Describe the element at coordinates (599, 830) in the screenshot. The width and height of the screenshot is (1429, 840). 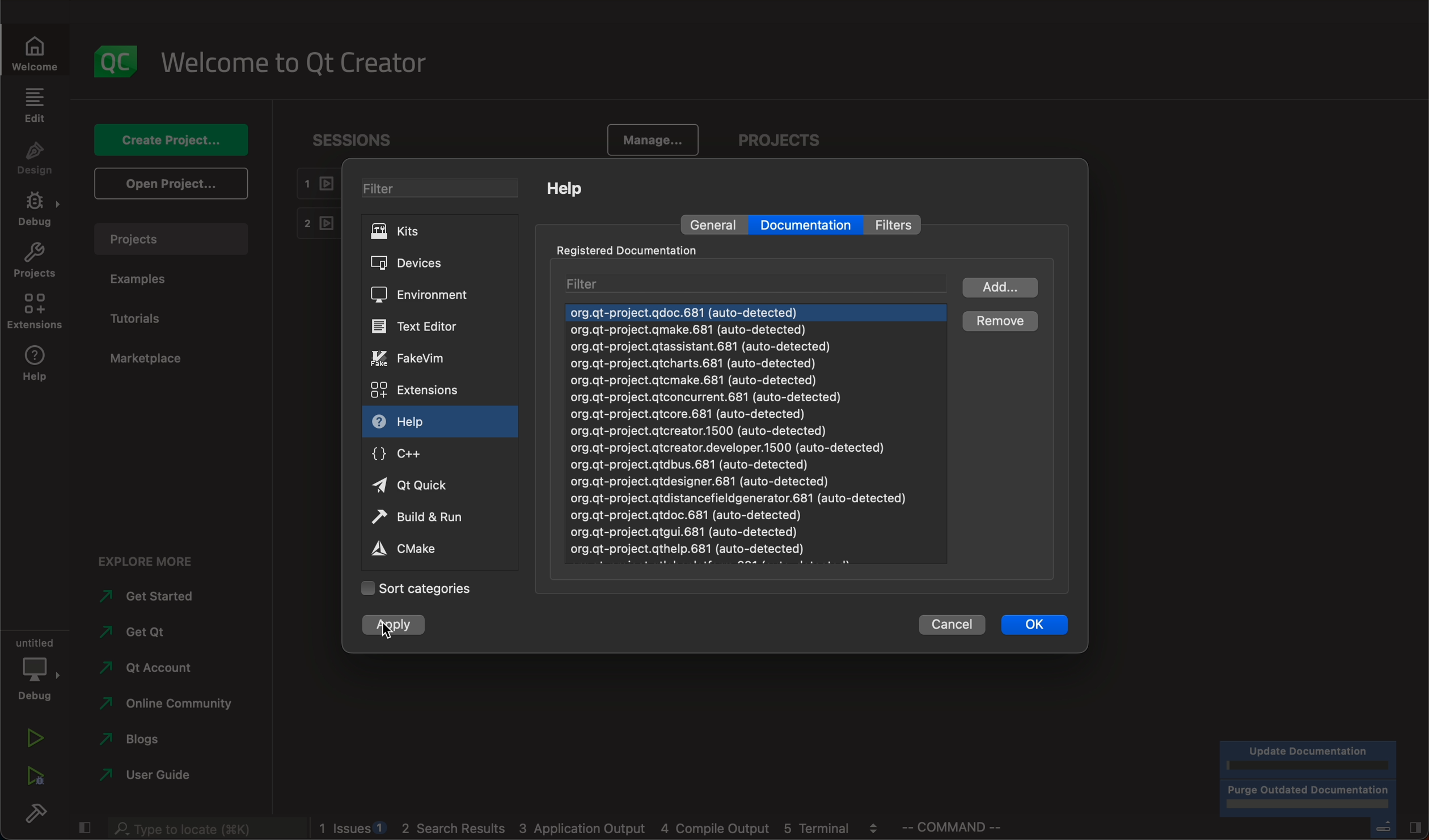
I see `blogs` at that location.